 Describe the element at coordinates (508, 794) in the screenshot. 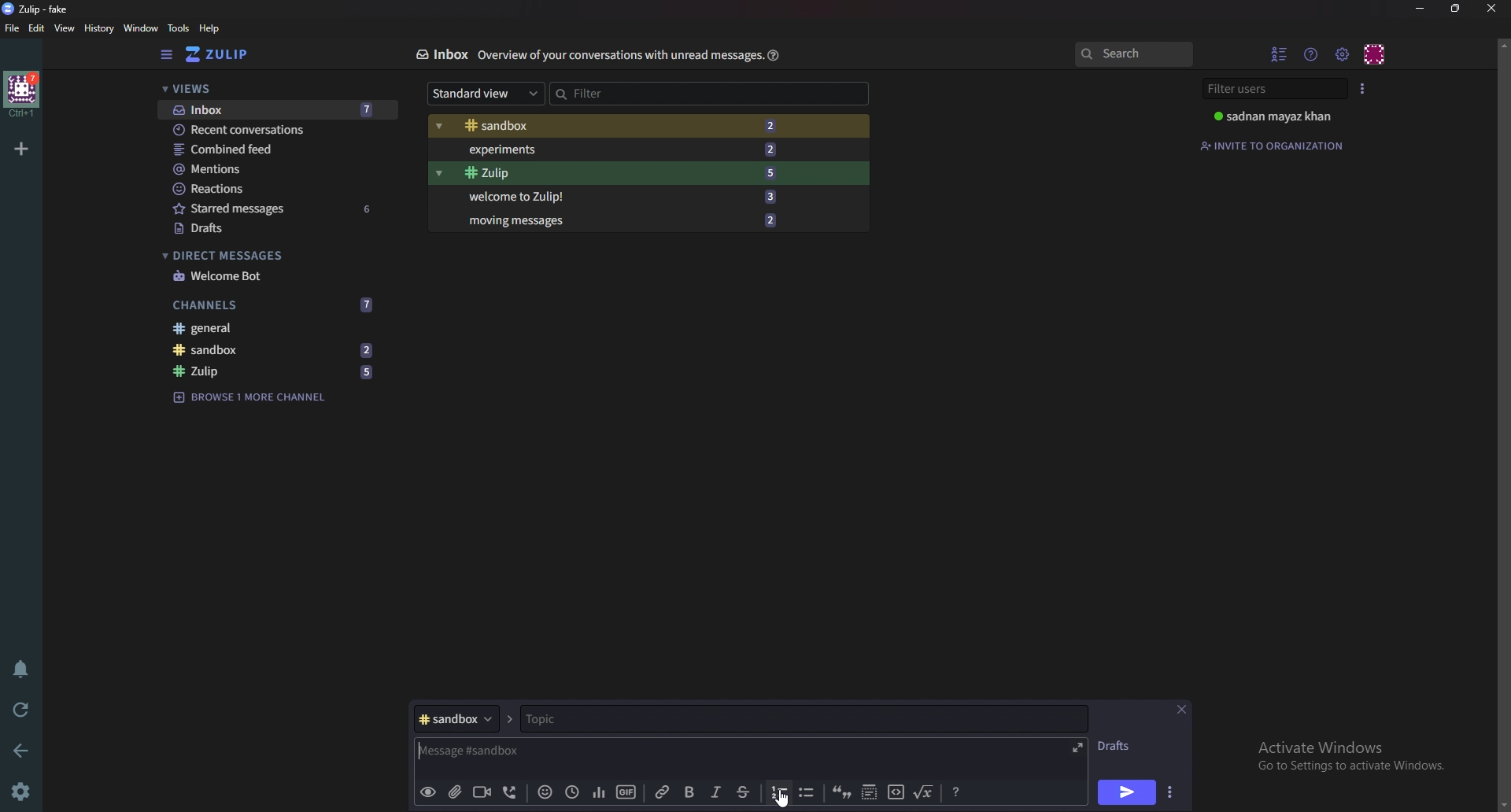

I see `Voice call` at that location.